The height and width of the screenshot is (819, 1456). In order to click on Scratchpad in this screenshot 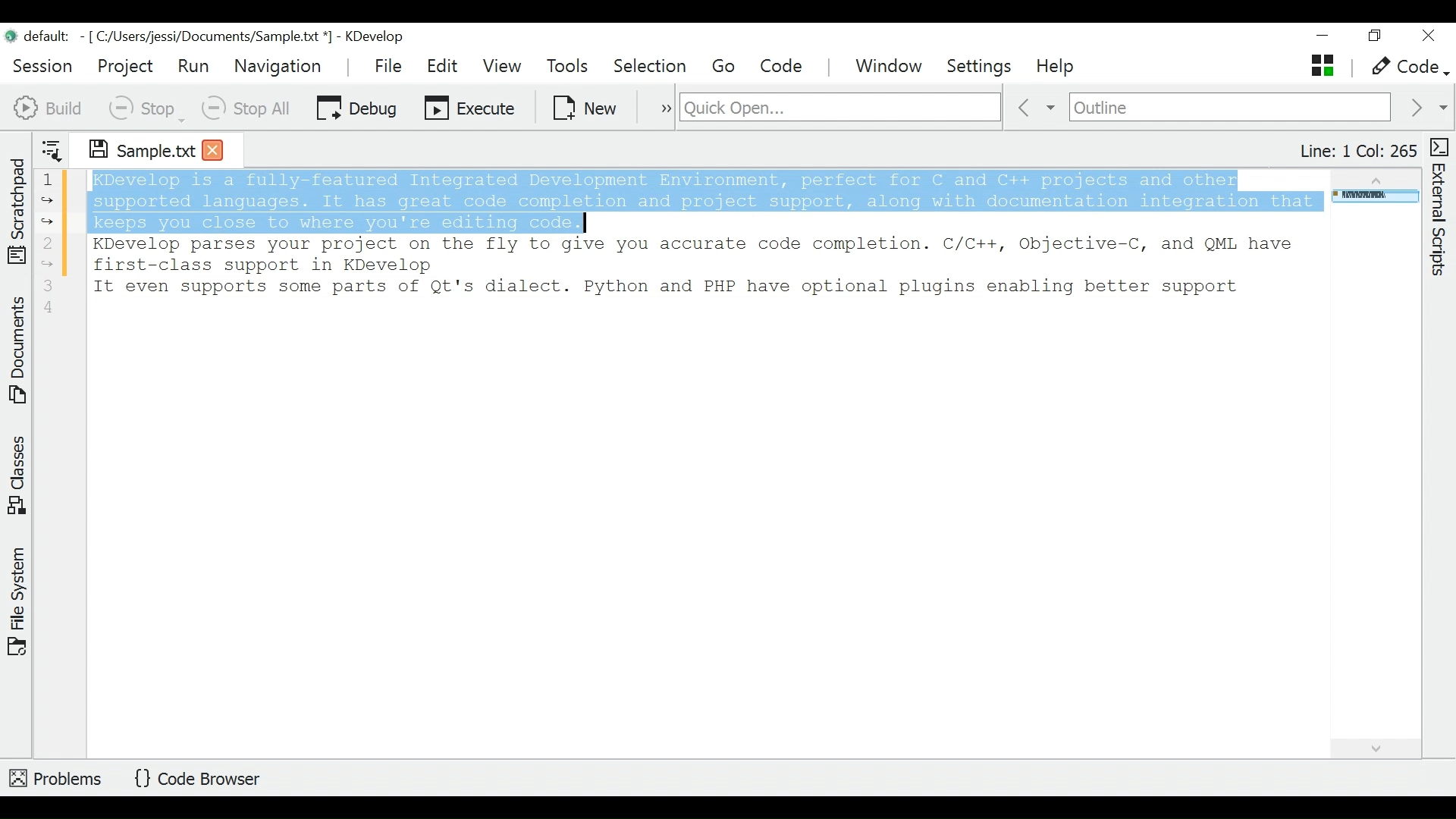, I will do `click(17, 208)`.